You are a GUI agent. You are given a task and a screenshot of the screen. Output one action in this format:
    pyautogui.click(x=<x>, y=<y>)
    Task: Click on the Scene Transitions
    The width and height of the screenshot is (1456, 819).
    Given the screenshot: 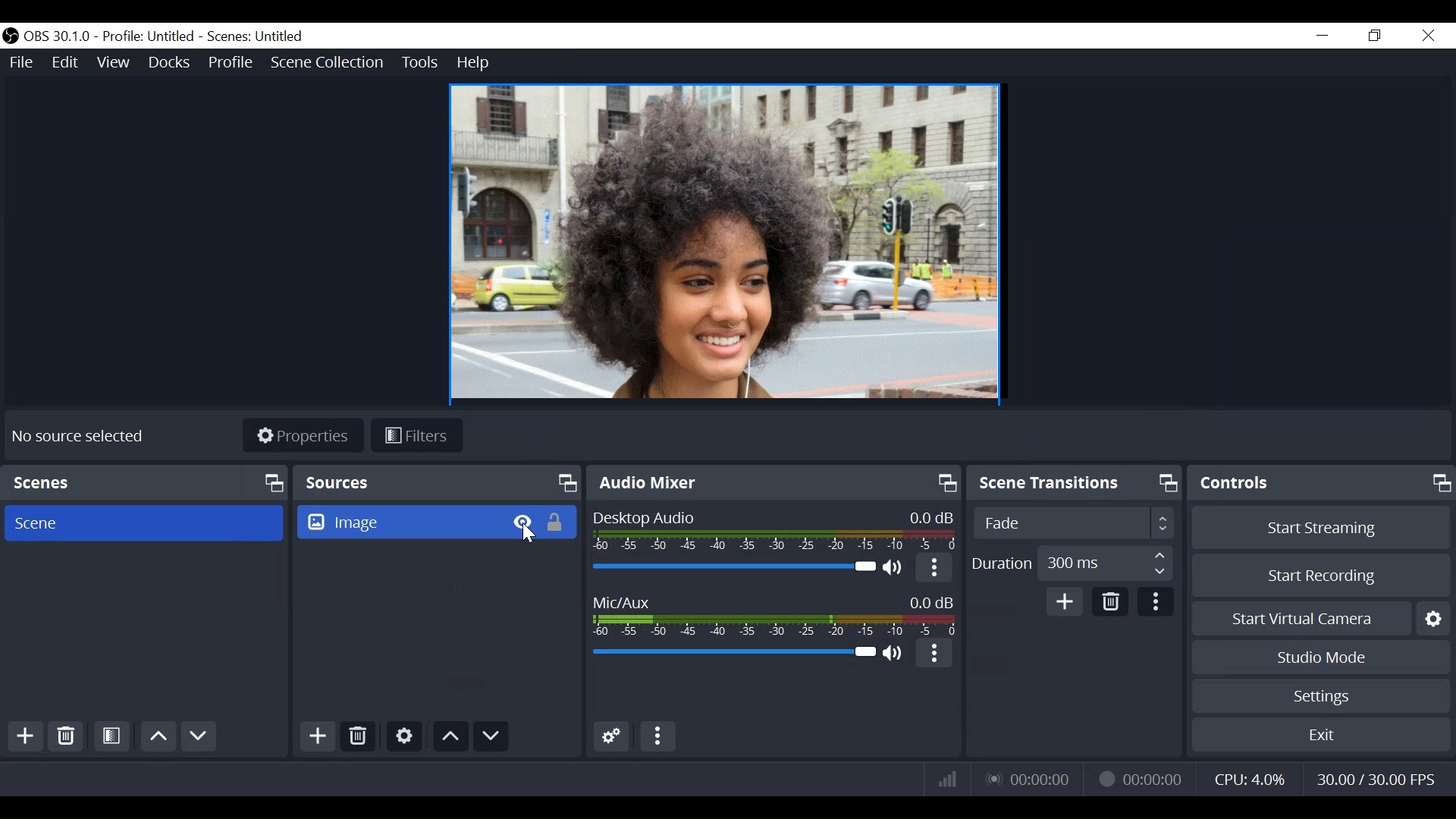 What is the action you would take?
    pyautogui.click(x=1073, y=522)
    